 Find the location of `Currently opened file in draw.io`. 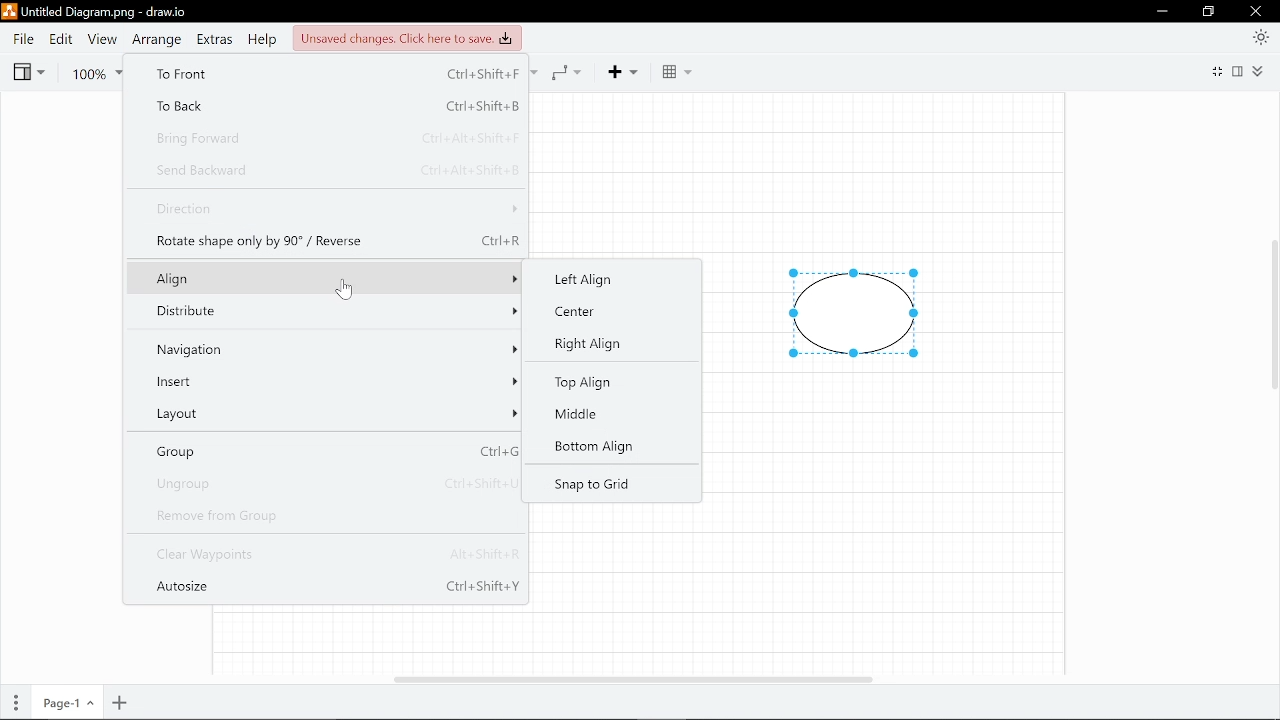

Currently opened file in draw.io is located at coordinates (98, 13).